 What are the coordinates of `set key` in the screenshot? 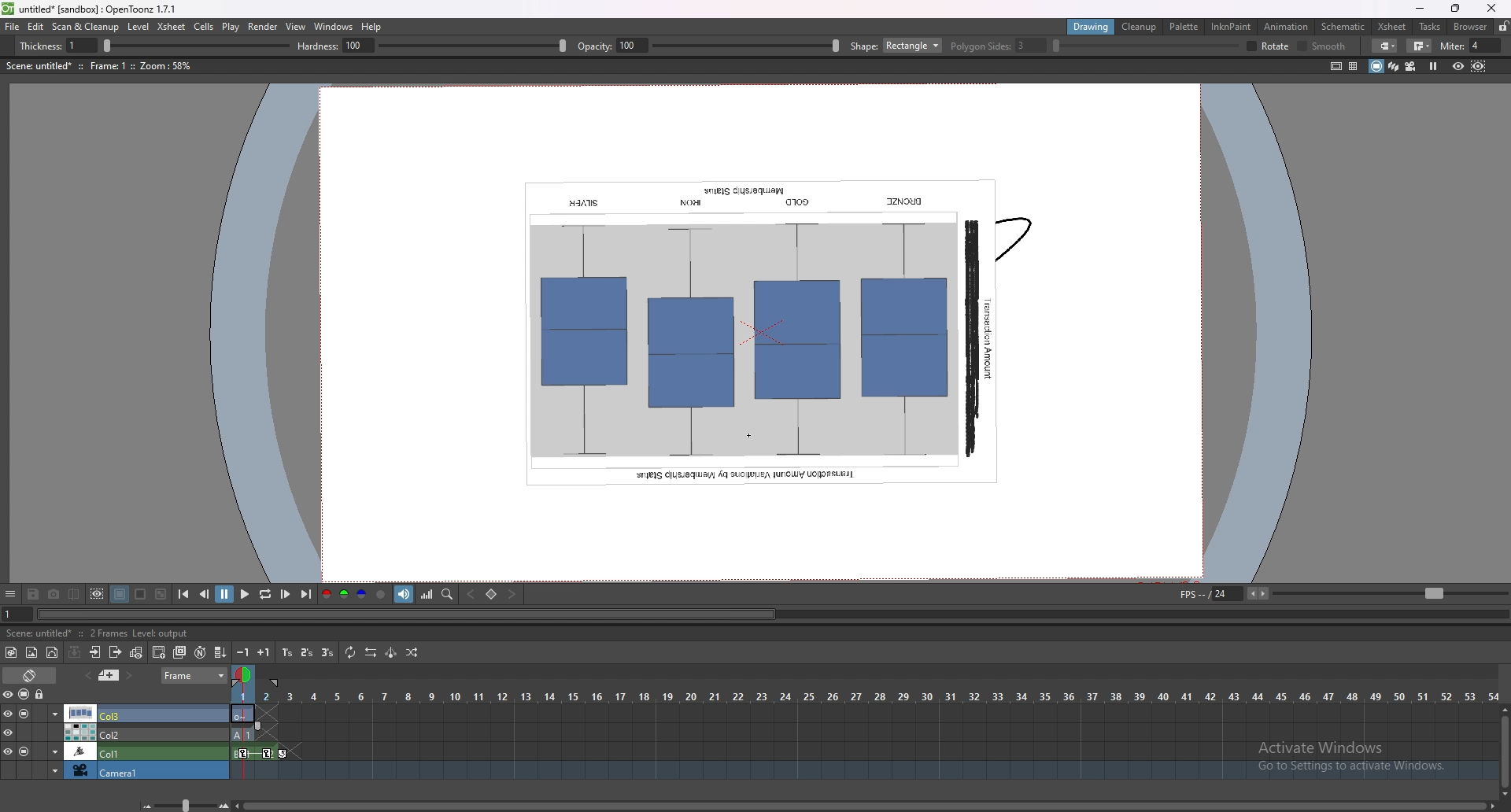 It's located at (490, 594).